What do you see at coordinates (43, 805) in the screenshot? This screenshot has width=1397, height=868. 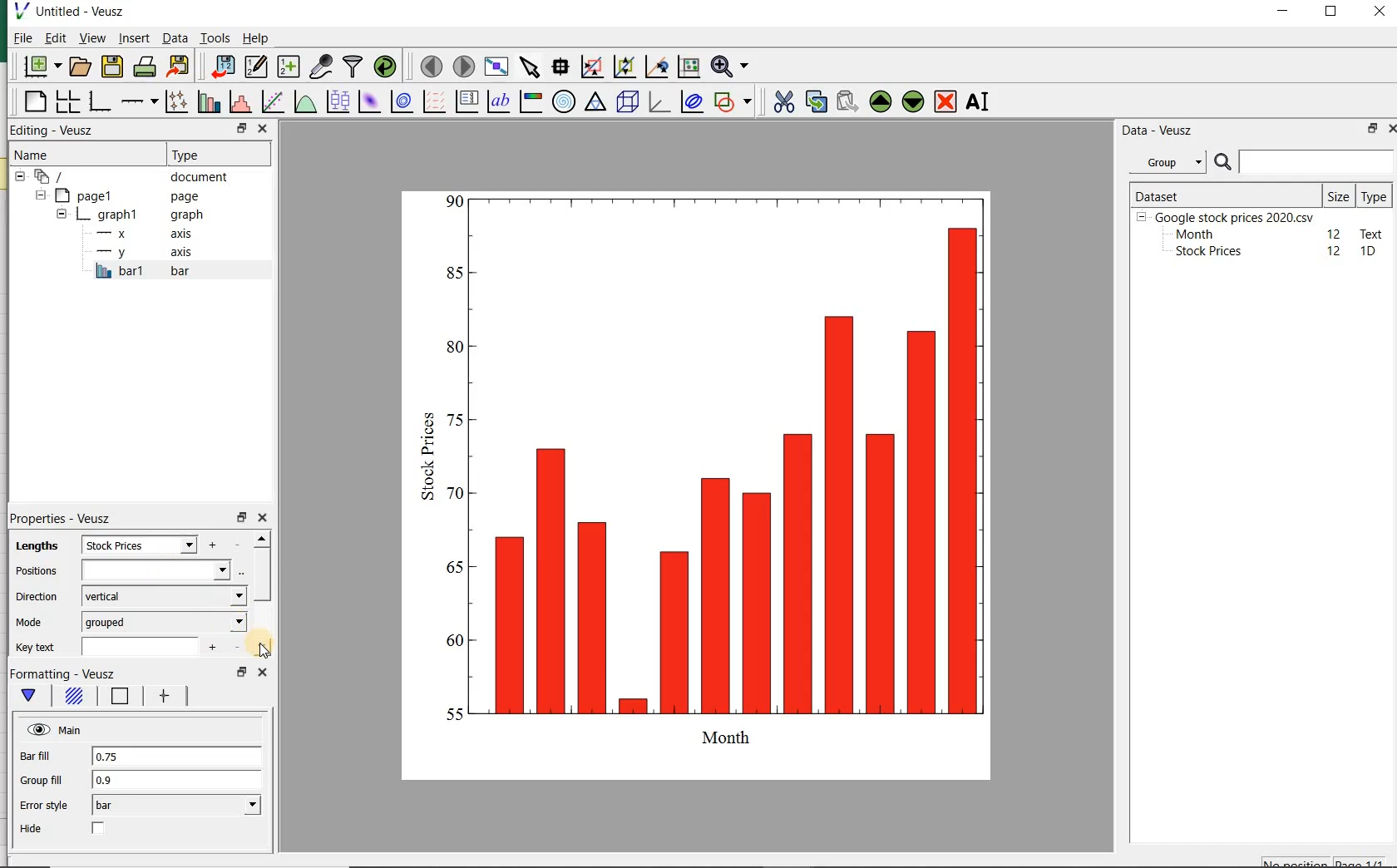 I see `Error style` at bounding box center [43, 805].